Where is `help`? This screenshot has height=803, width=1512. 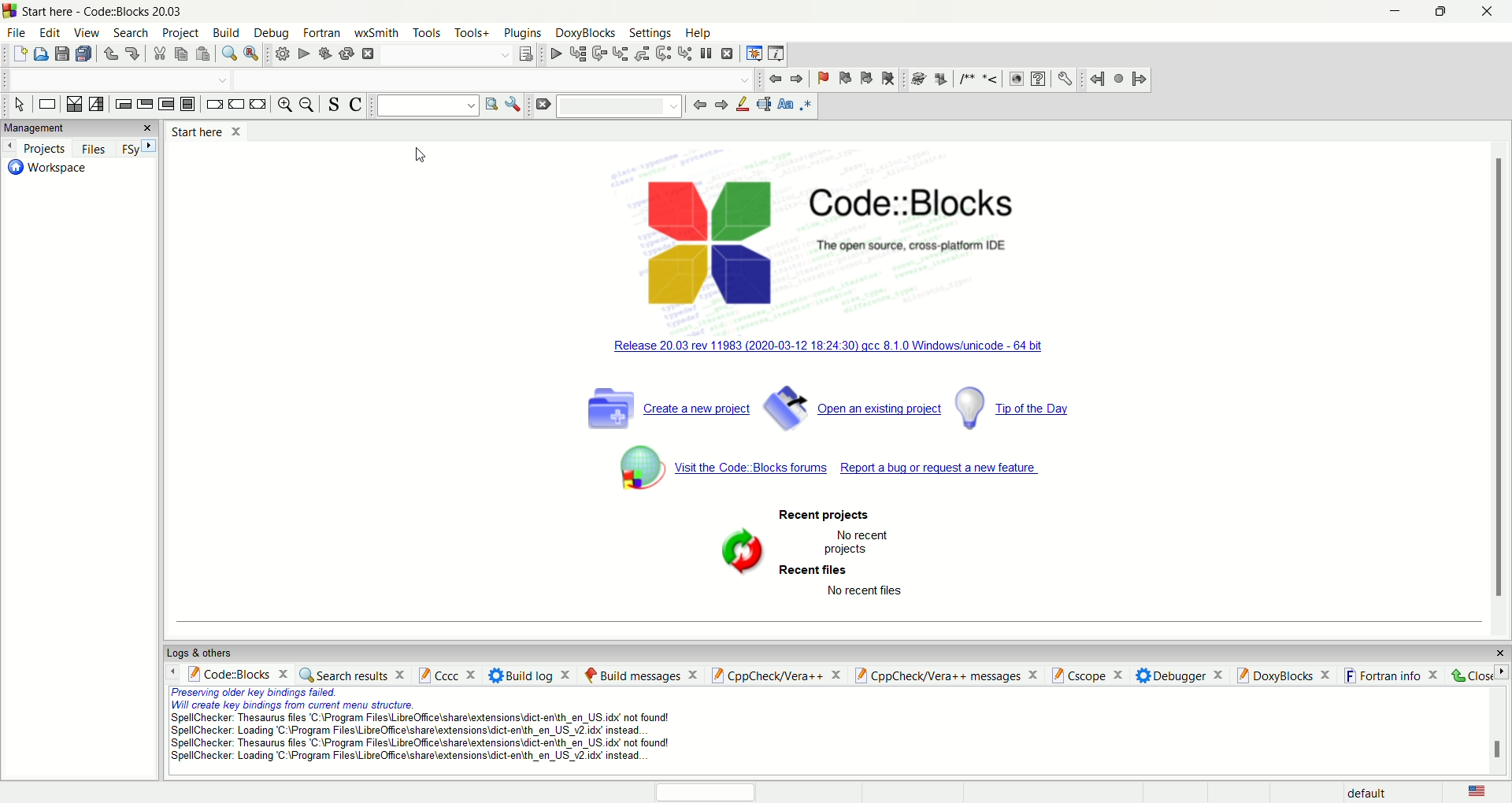
help is located at coordinates (1039, 80).